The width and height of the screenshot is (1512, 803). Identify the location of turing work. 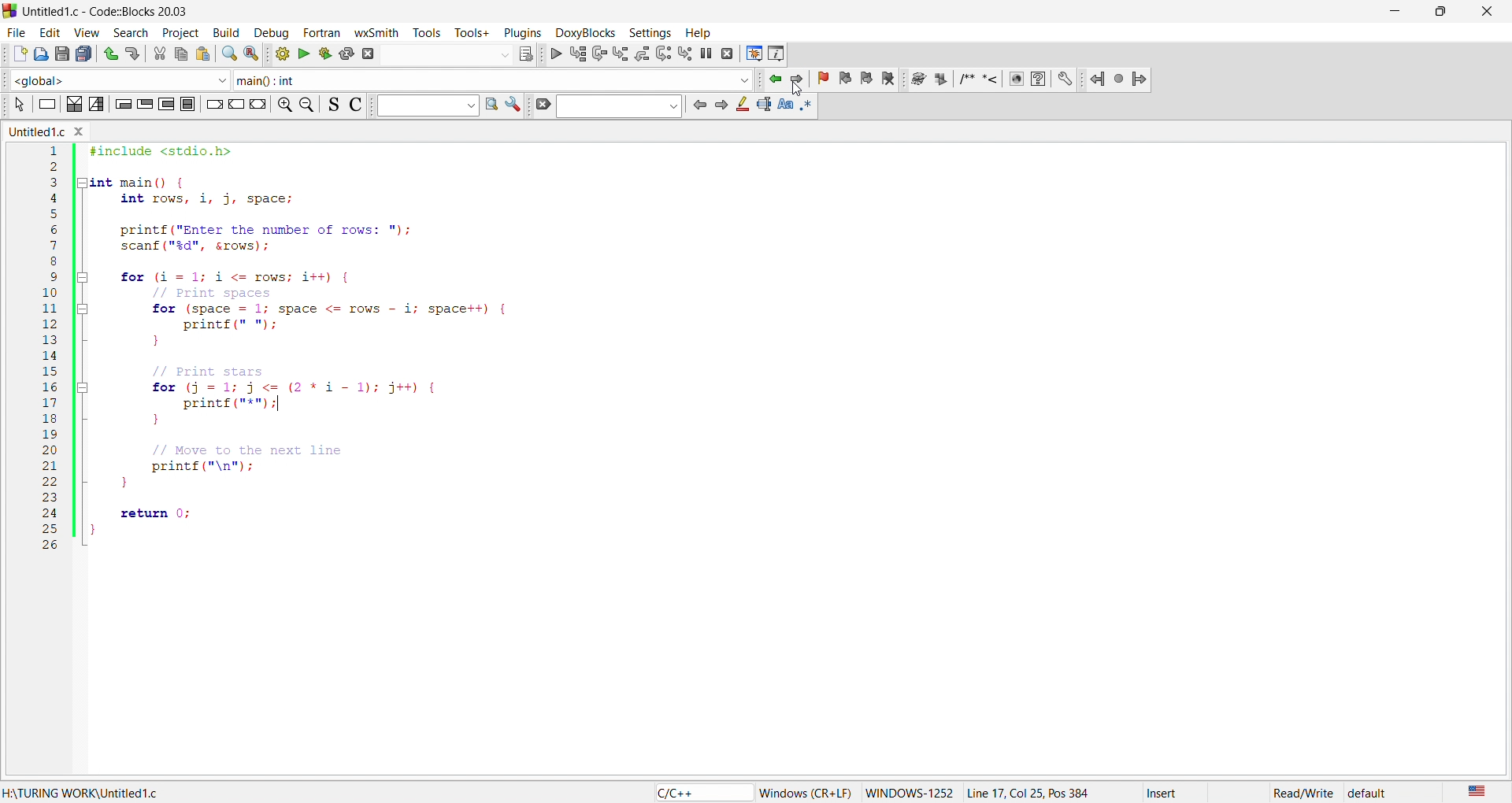
(87, 791).